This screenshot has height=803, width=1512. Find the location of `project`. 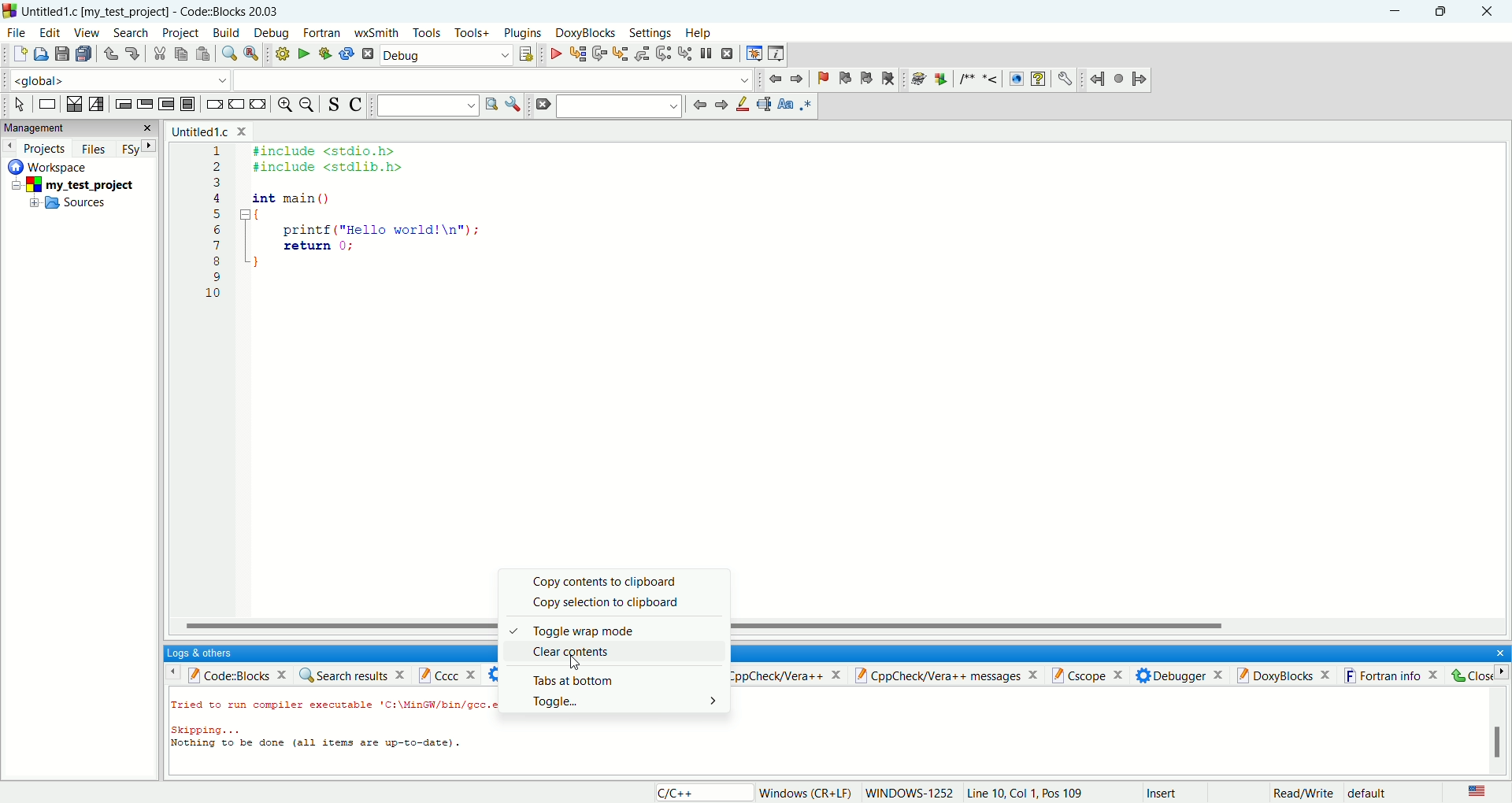

project is located at coordinates (180, 34).